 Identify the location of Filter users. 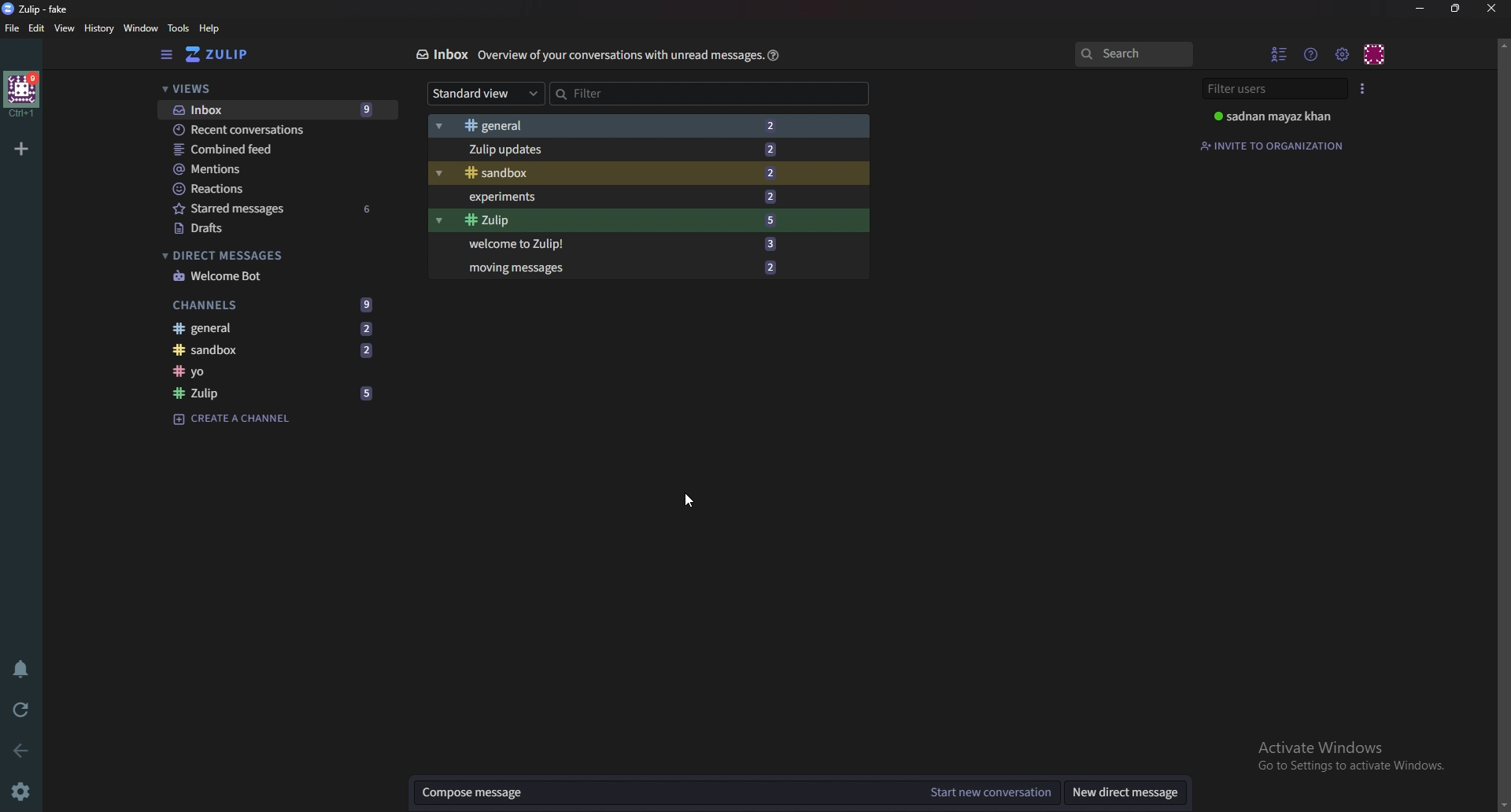
(1271, 89).